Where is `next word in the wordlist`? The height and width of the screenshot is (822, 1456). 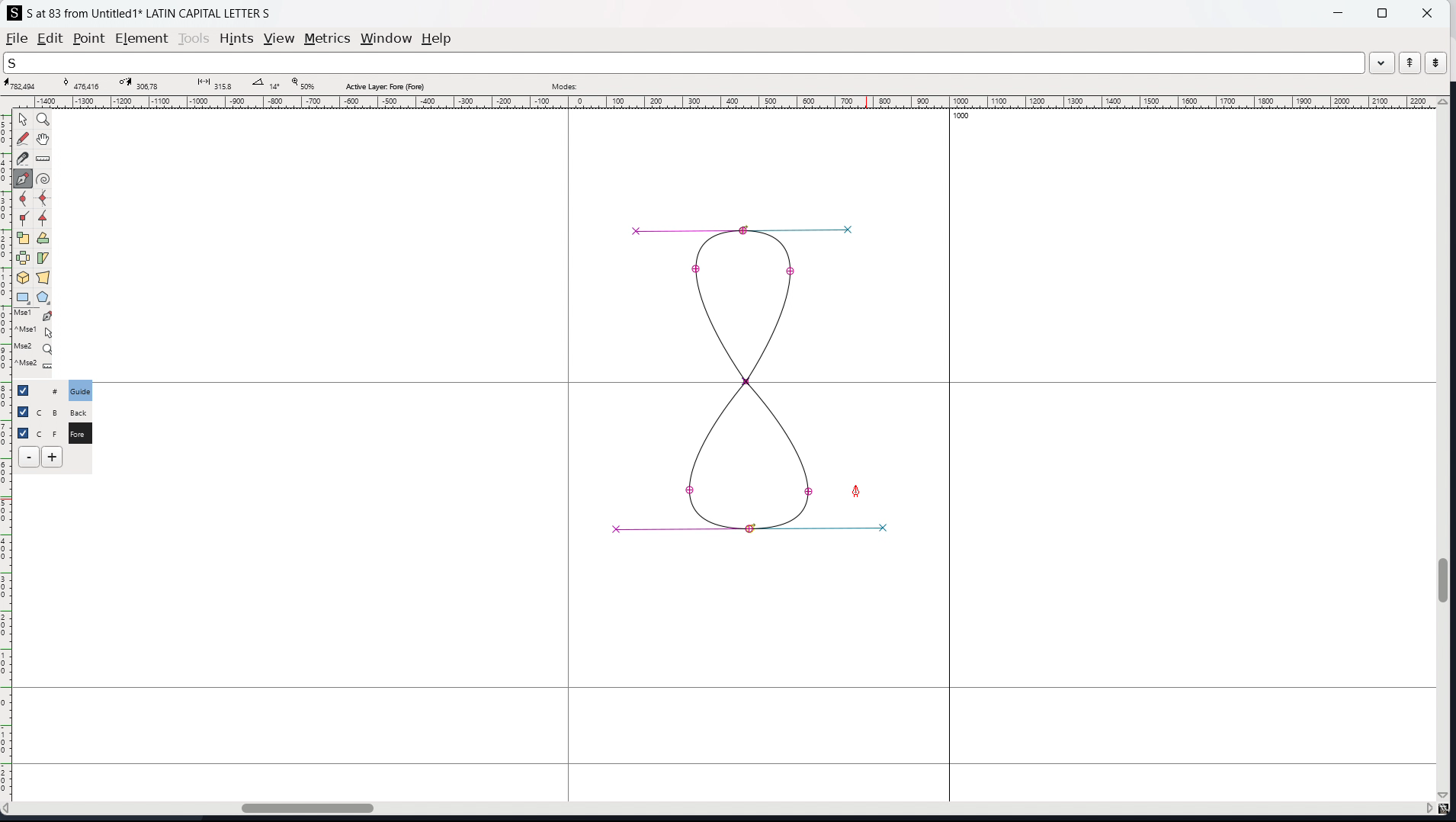 next word in the wordlist is located at coordinates (1435, 62).